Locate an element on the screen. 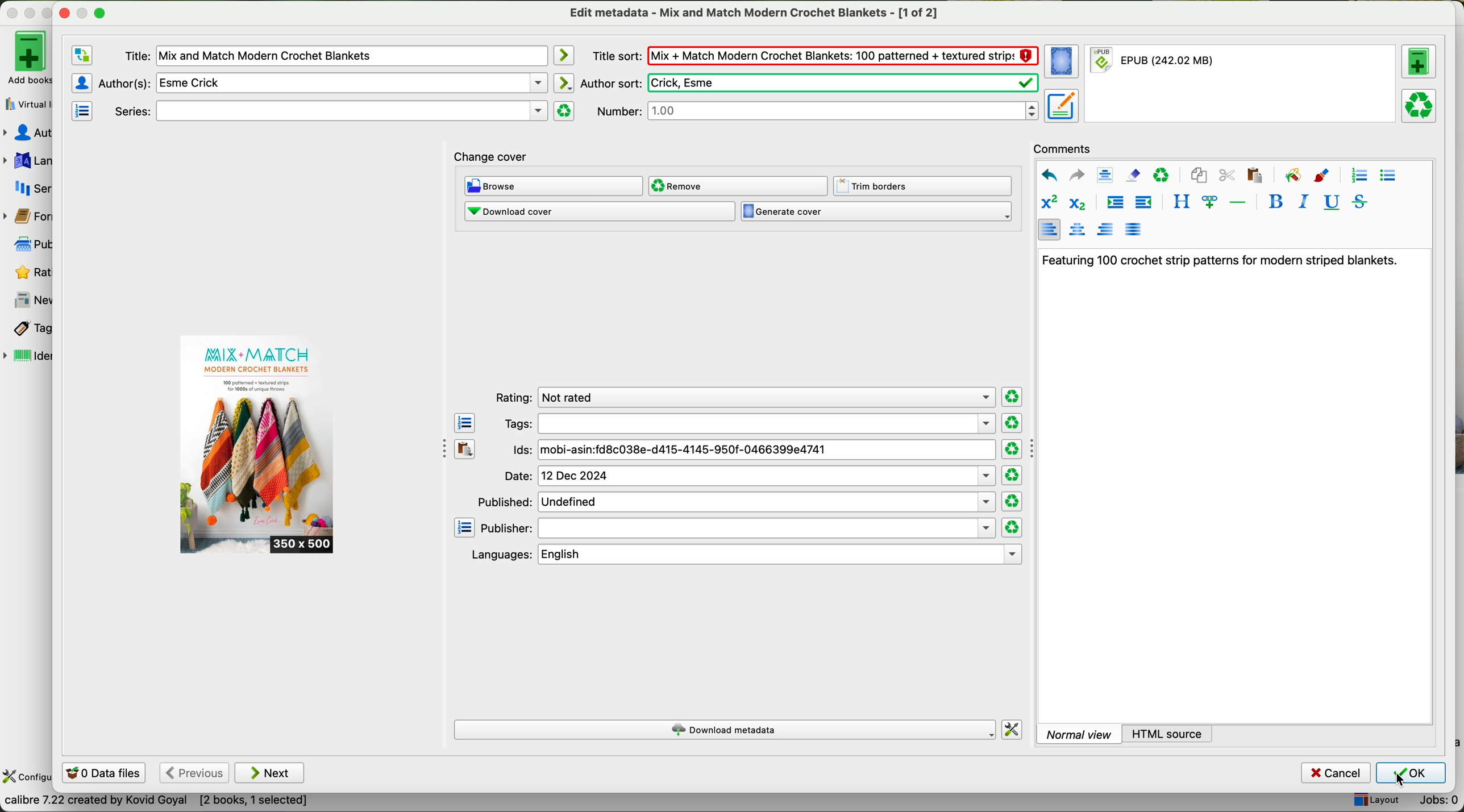 Image resolution: width=1464 pixels, height=812 pixels. HTML source is located at coordinates (1168, 733).